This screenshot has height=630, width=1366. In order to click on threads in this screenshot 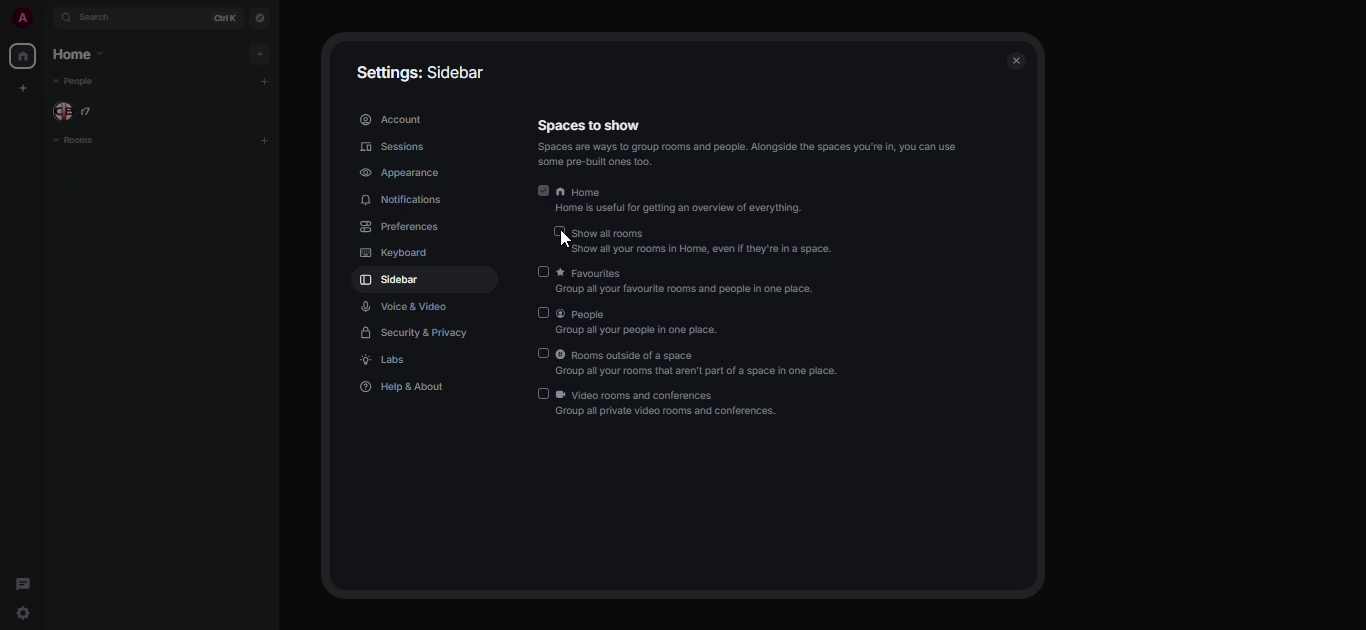, I will do `click(24, 583)`.